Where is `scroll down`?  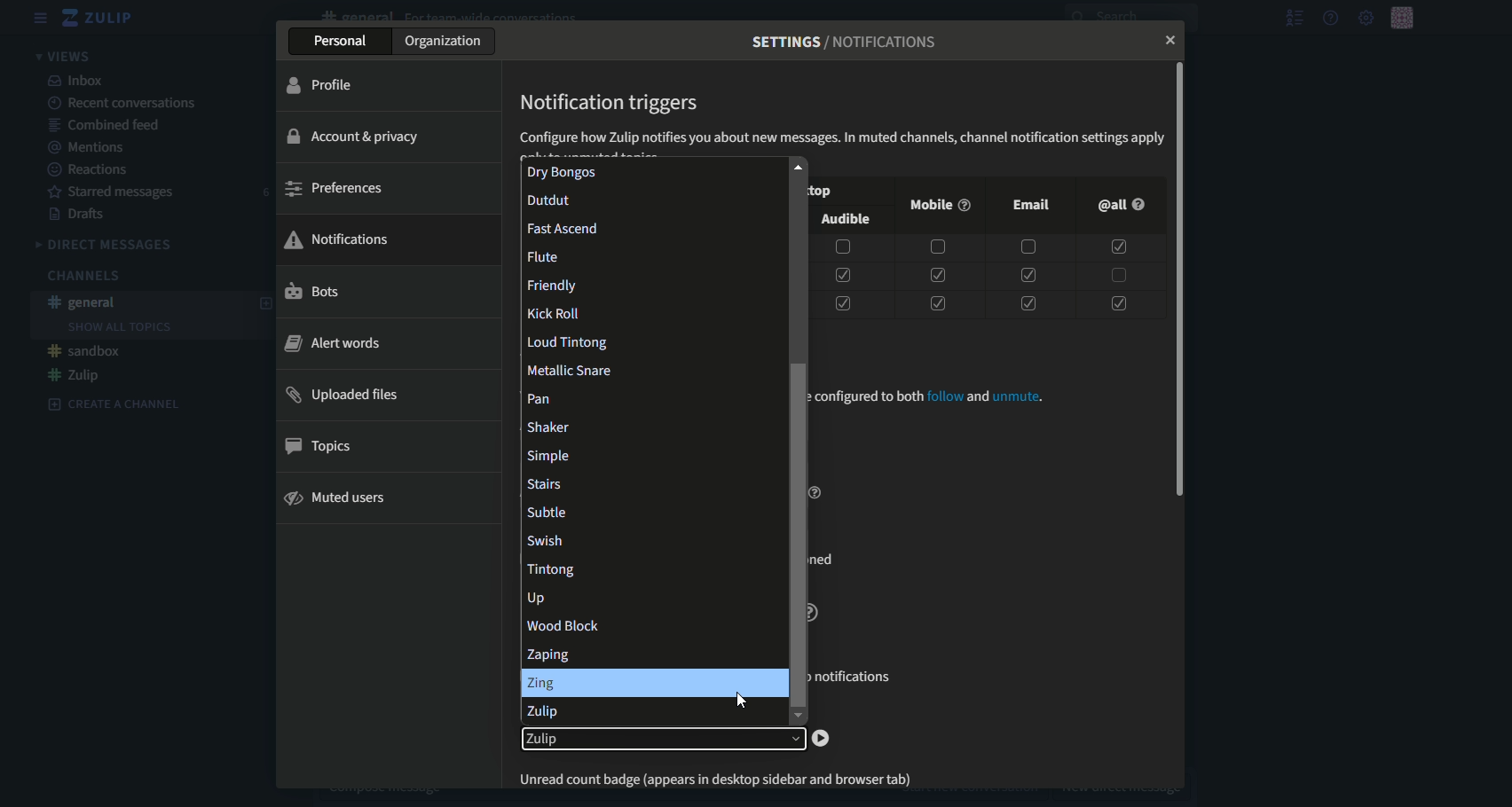
scroll down is located at coordinates (797, 717).